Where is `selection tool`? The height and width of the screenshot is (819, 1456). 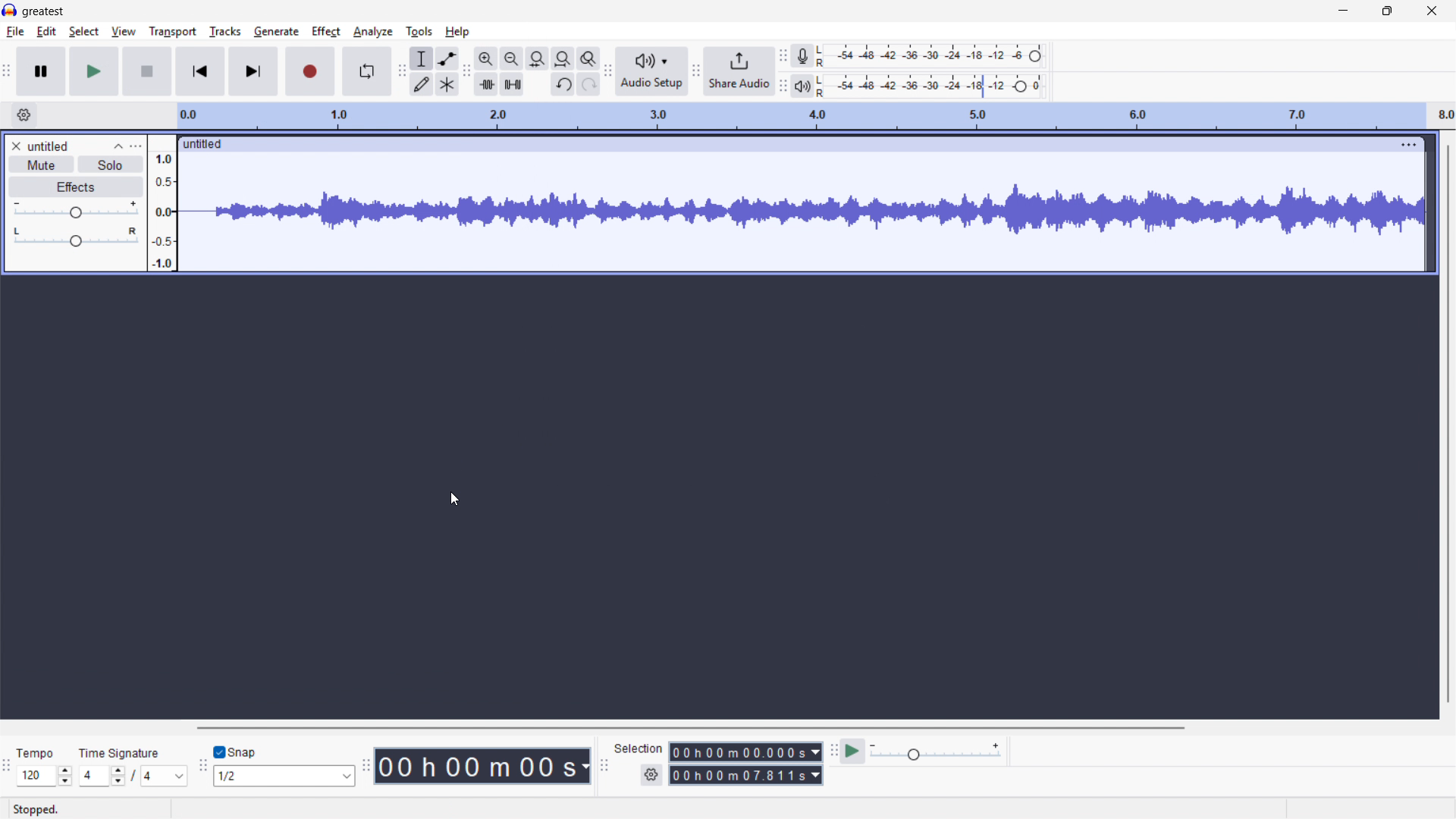 selection tool is located at coordinates (421, 58).